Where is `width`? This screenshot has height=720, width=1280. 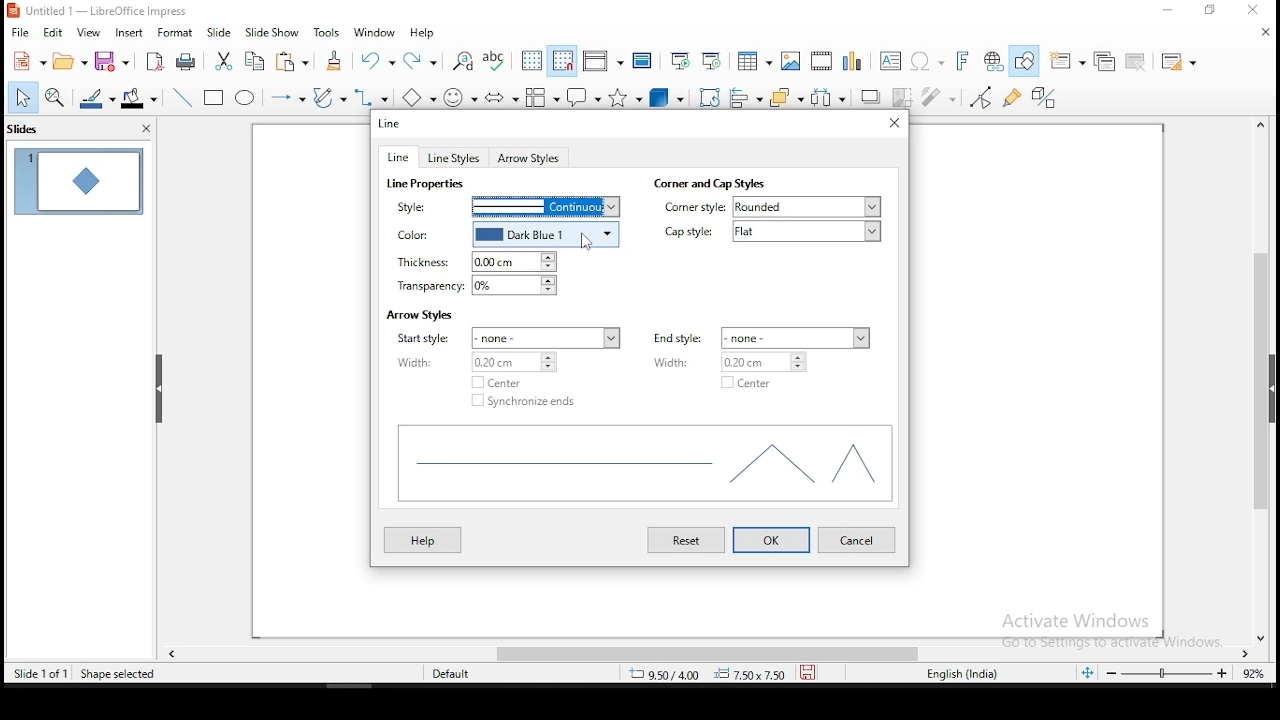
width is located at coordinates (684, 361).